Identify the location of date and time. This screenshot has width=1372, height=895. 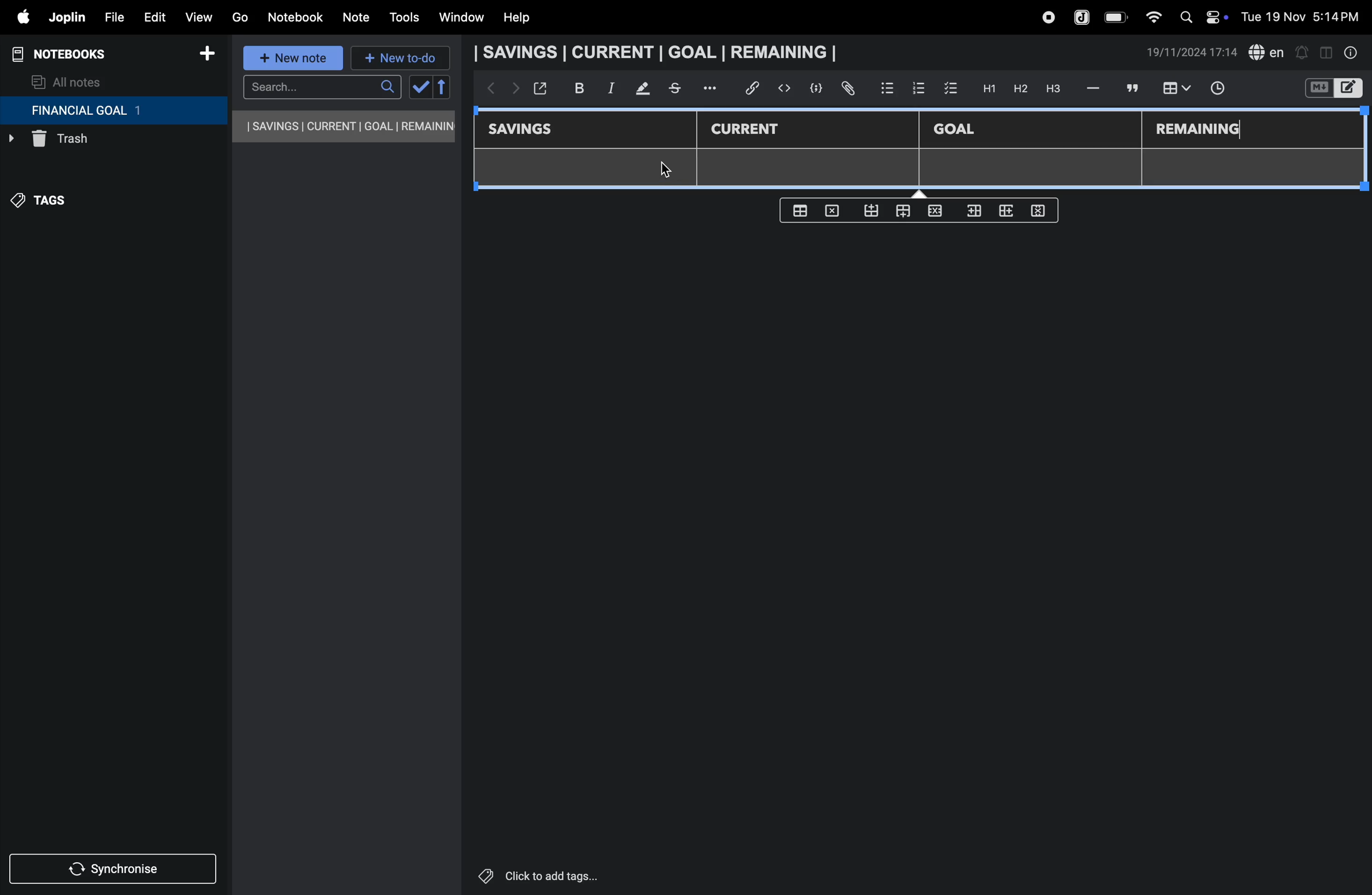
(1192, 52).